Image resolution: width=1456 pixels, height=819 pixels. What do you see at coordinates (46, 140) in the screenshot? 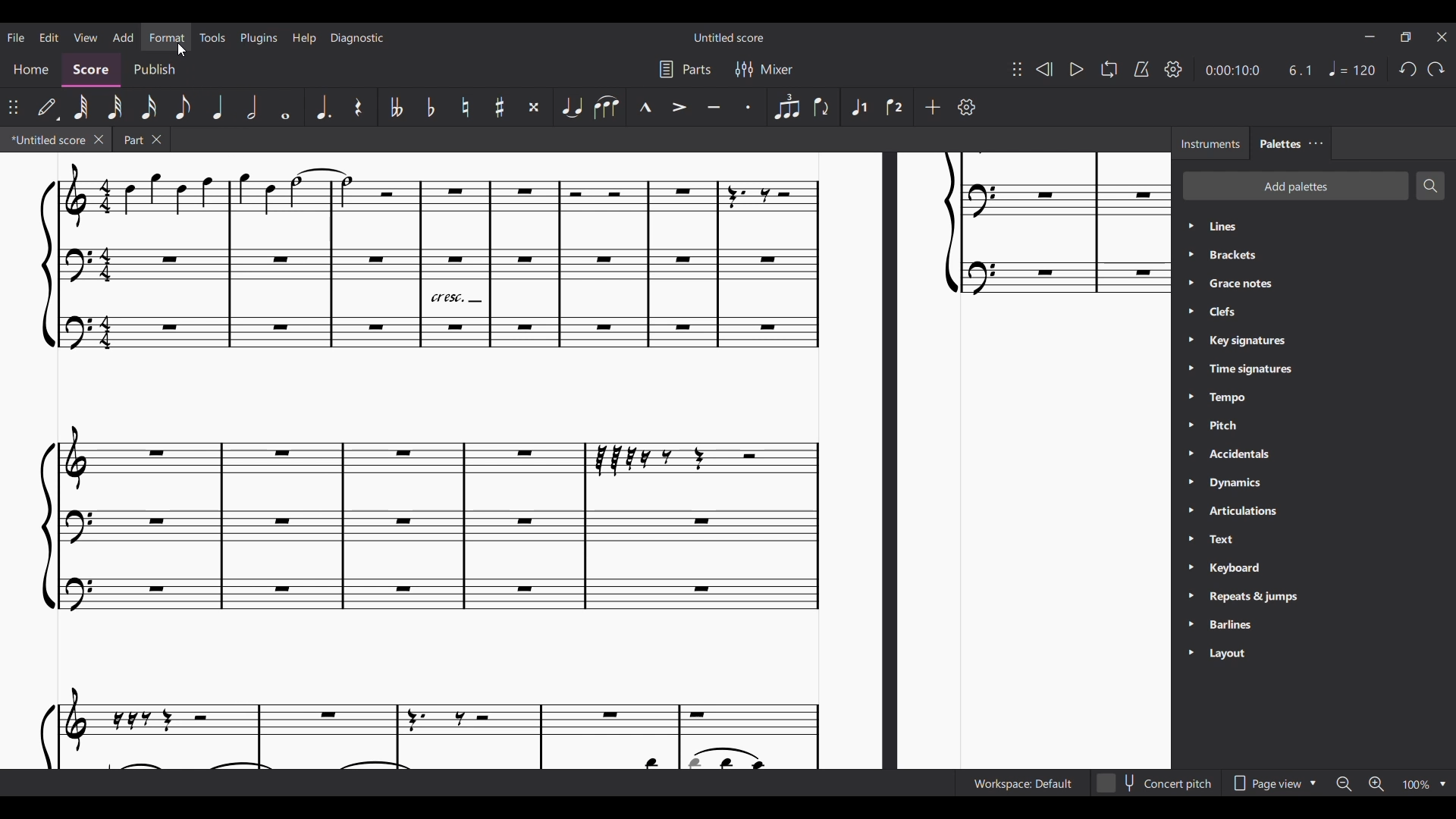
I see `Current tab highlighted` at bounding box center [46, 140].